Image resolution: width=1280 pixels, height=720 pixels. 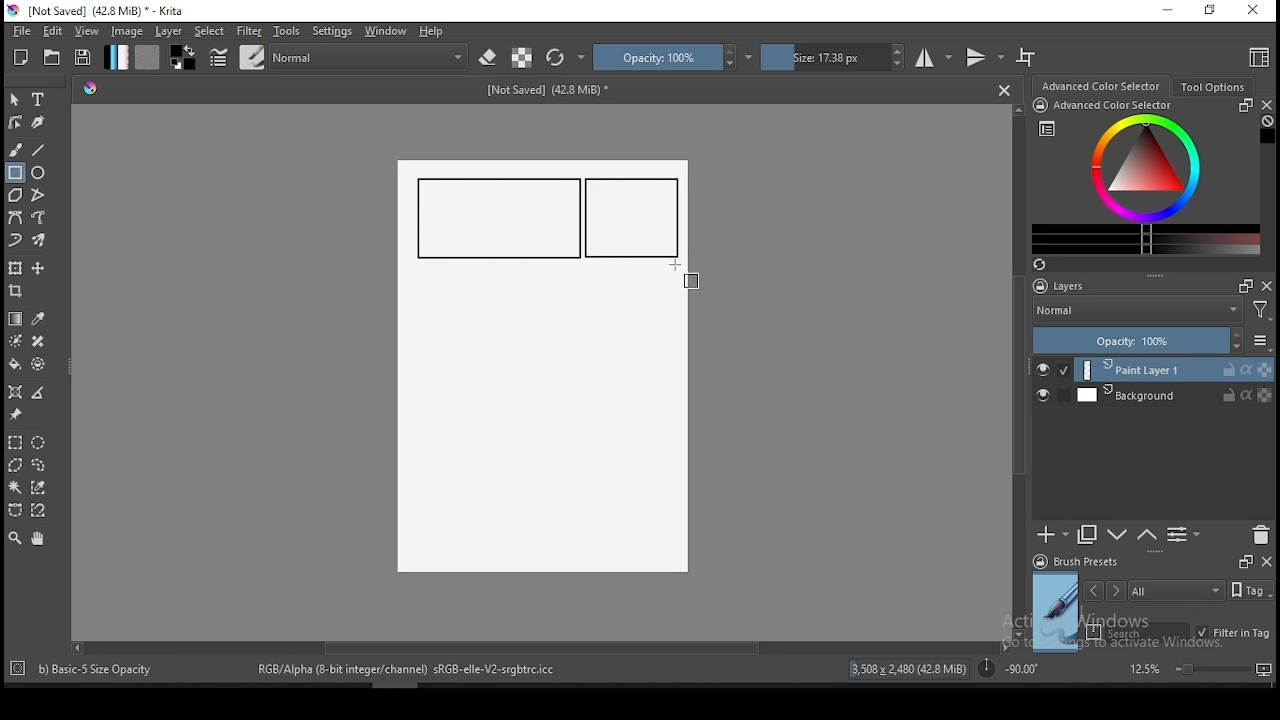 I want to click on elliptical selection tool, so click(x=38, y=443).